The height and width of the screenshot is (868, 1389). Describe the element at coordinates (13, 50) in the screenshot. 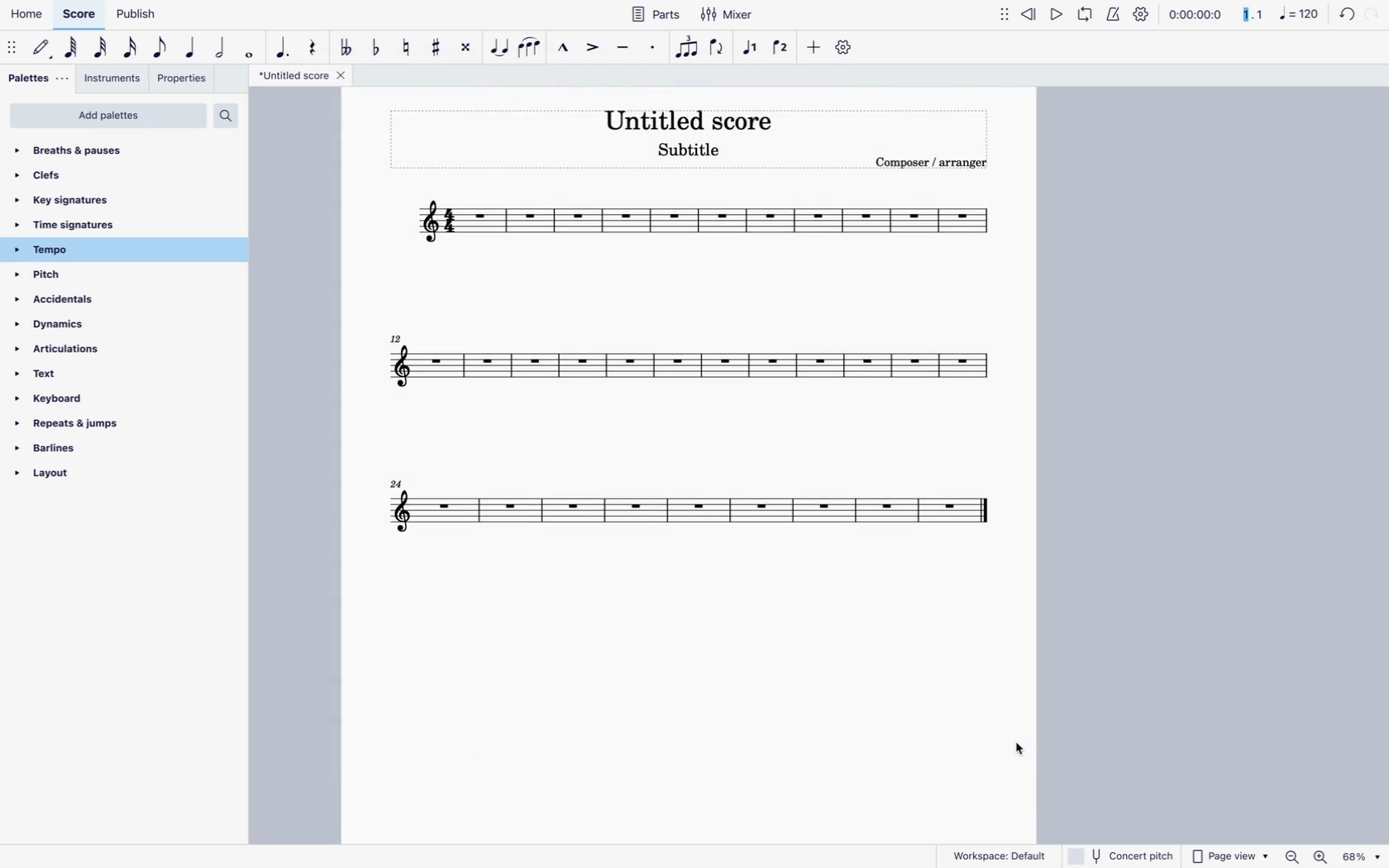

I see `move` at that location.